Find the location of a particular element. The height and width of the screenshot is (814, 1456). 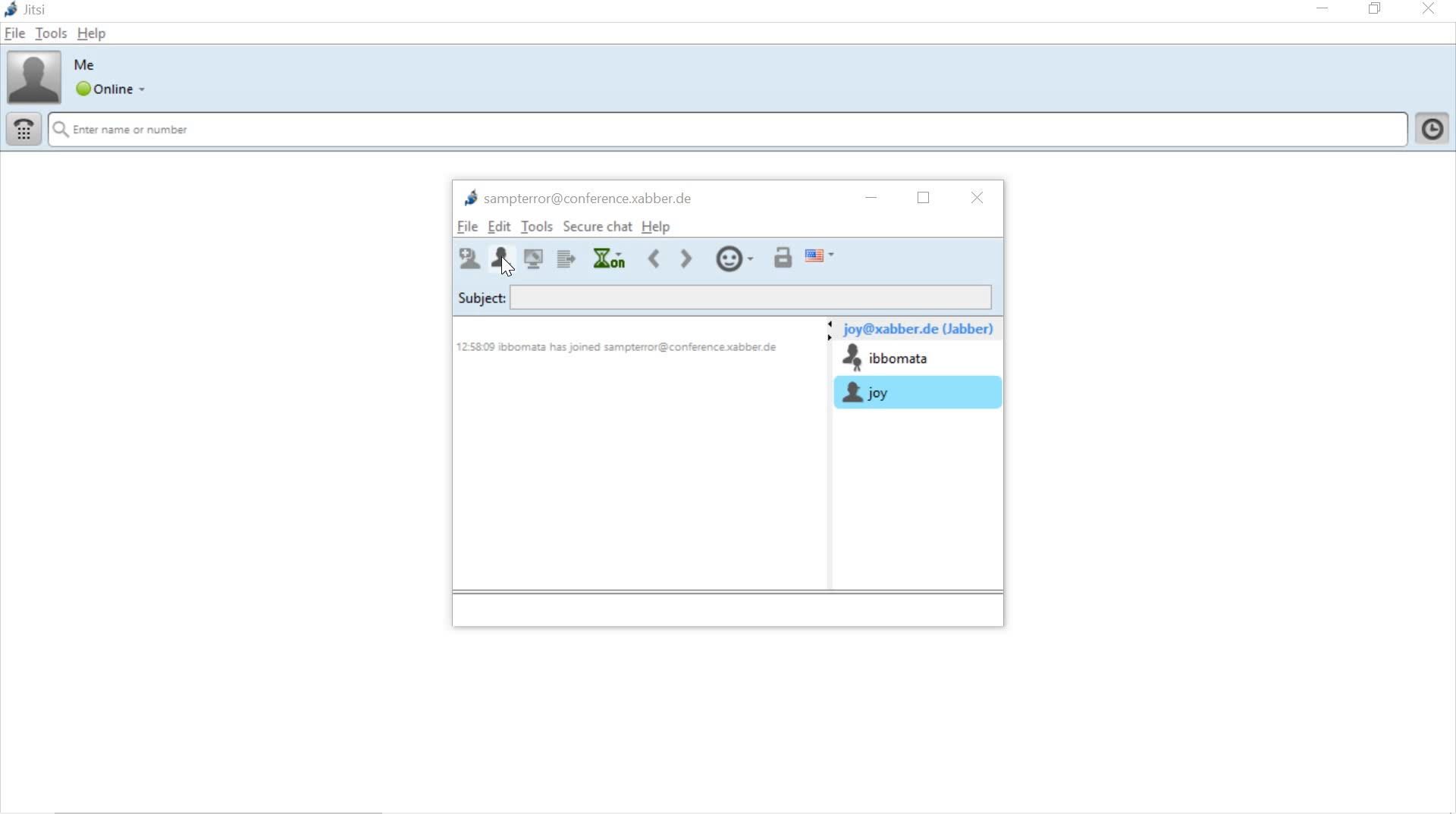

help is located at coordinates (659, 227).